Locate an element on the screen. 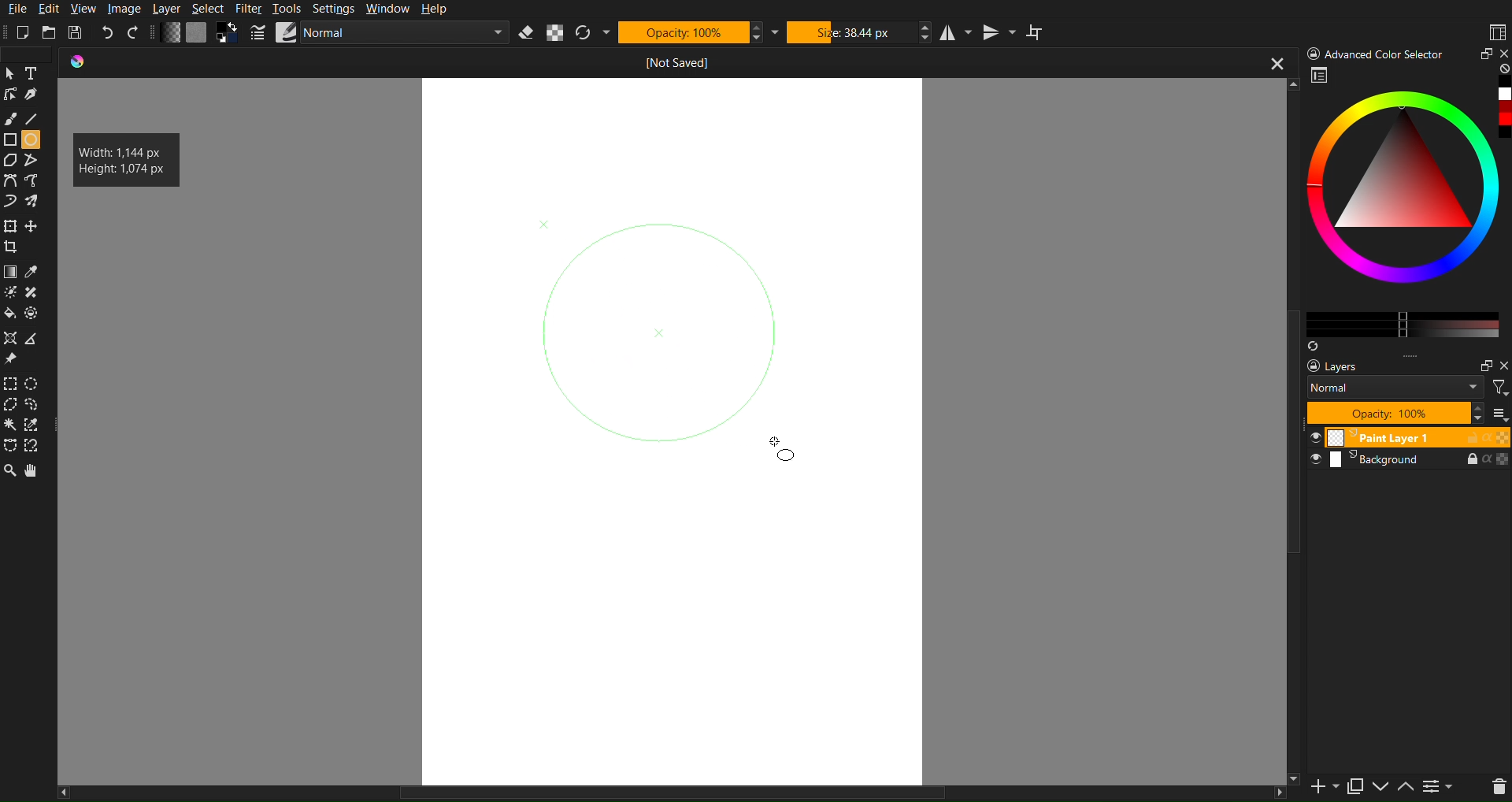 This screenshot has width=1512, height=802. Brush Settings is located at coordinates (379, 34).